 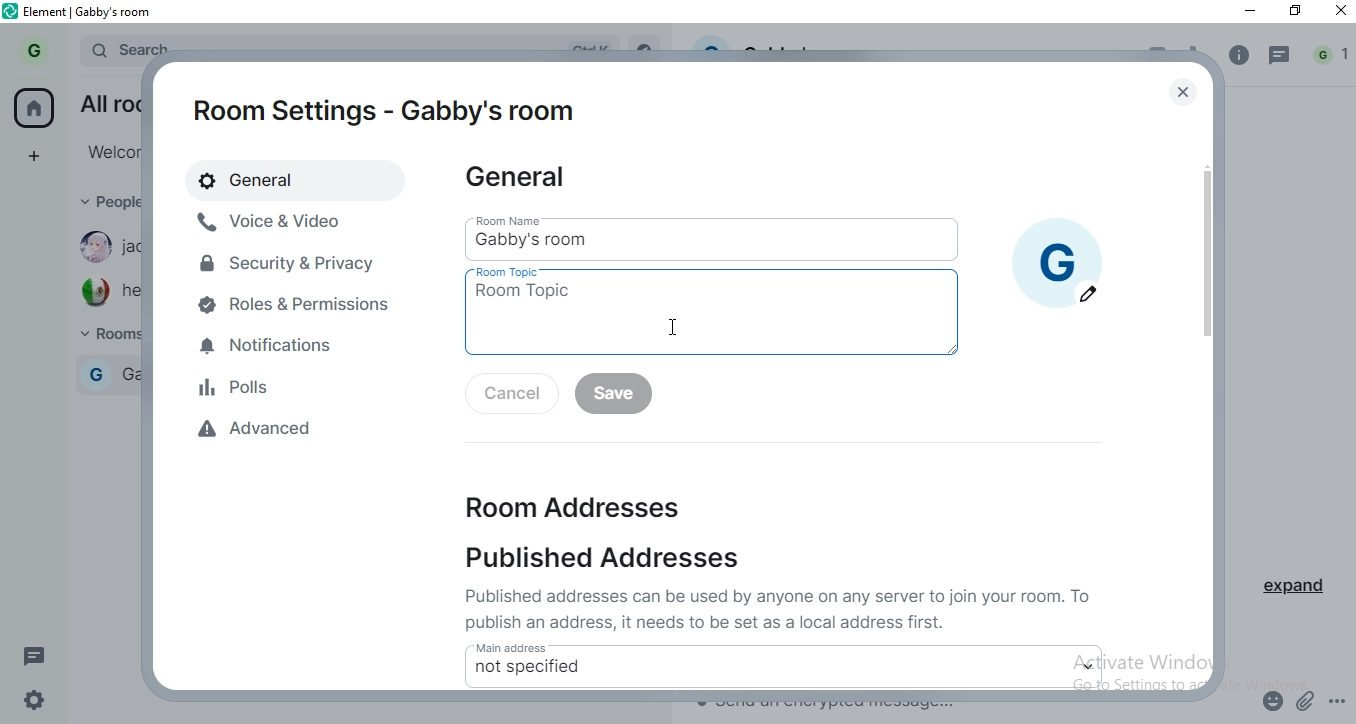 I want to click on gabby's room, so click(x=591, y=240).